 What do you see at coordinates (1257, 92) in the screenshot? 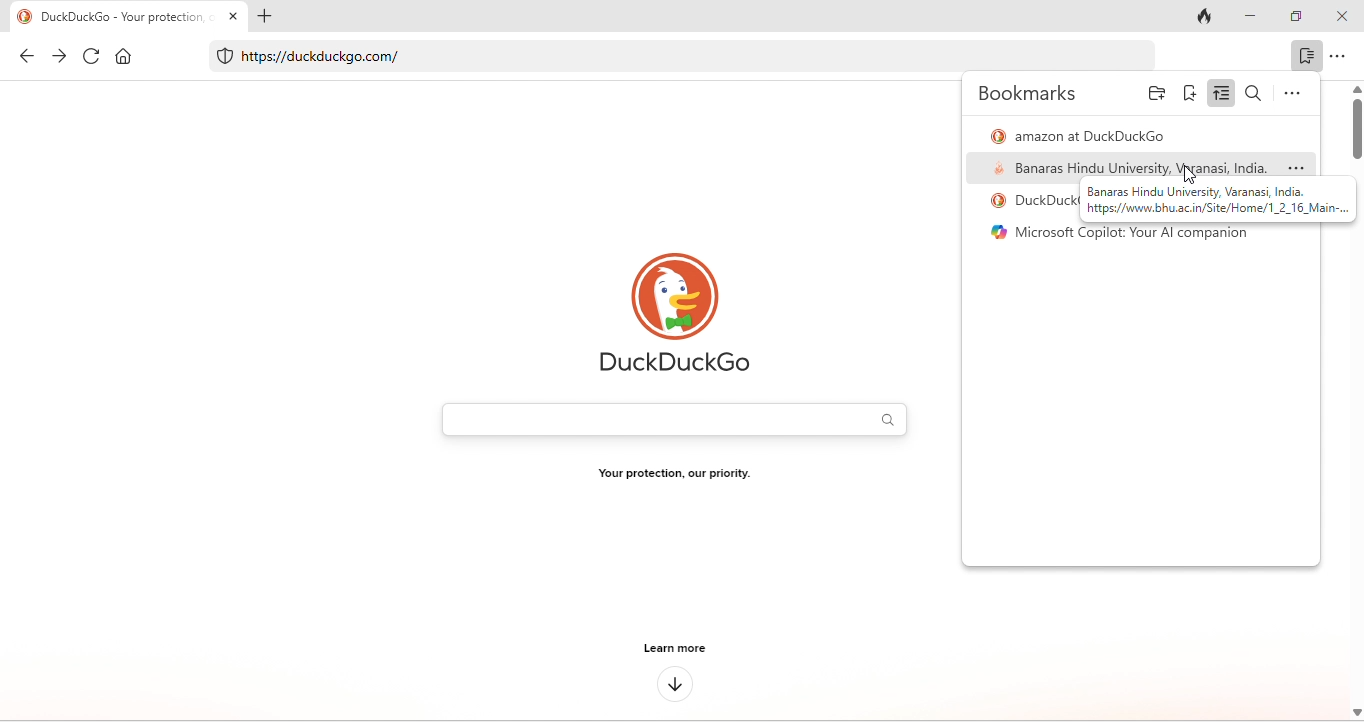
I see `search` at bounding box center [1257, 92].